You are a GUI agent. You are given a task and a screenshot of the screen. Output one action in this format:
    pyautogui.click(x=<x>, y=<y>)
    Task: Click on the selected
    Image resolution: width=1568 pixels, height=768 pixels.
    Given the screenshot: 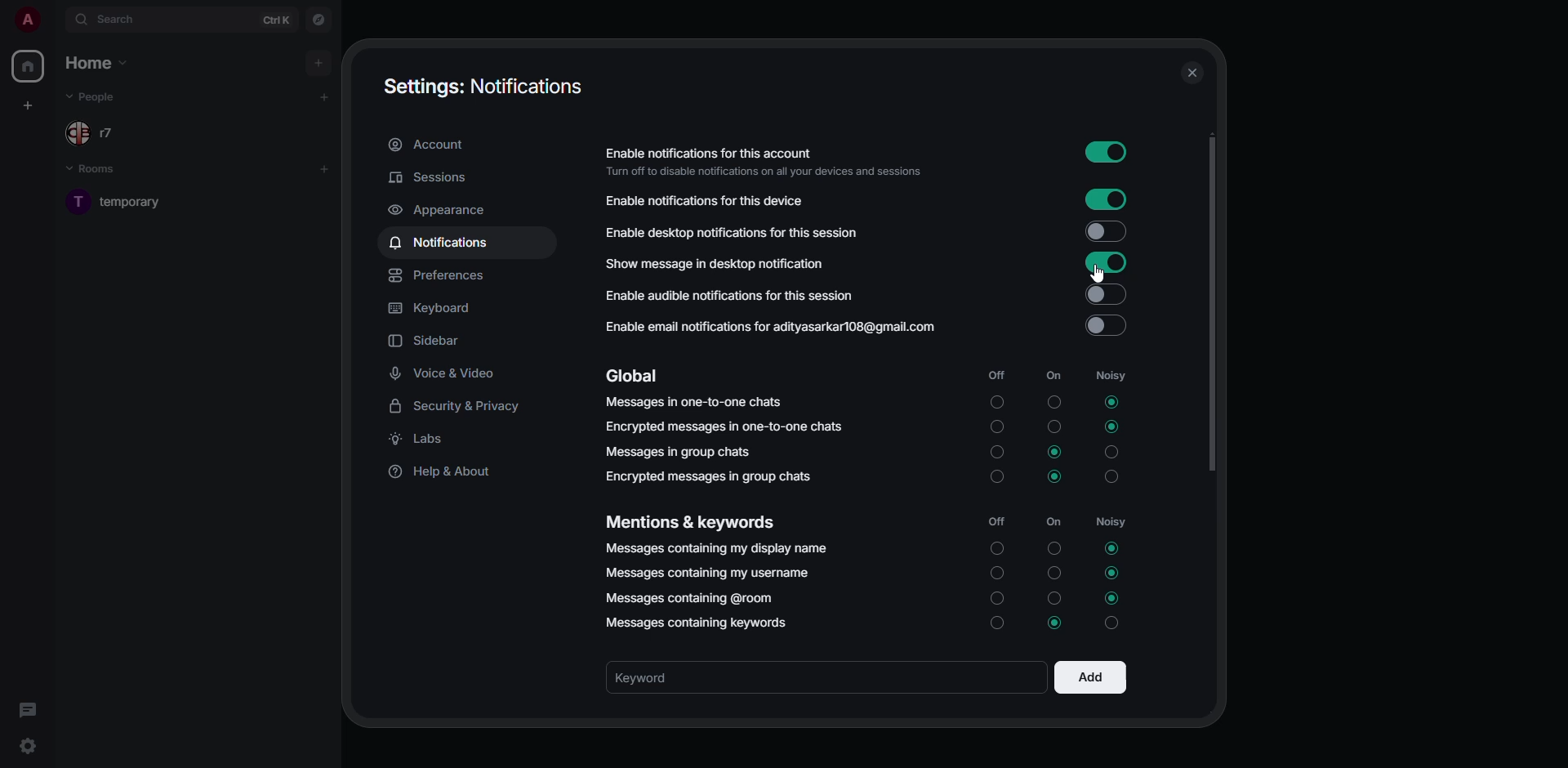 What is the action you would take?
    pyautogui.click(x=1112, y=426)
    